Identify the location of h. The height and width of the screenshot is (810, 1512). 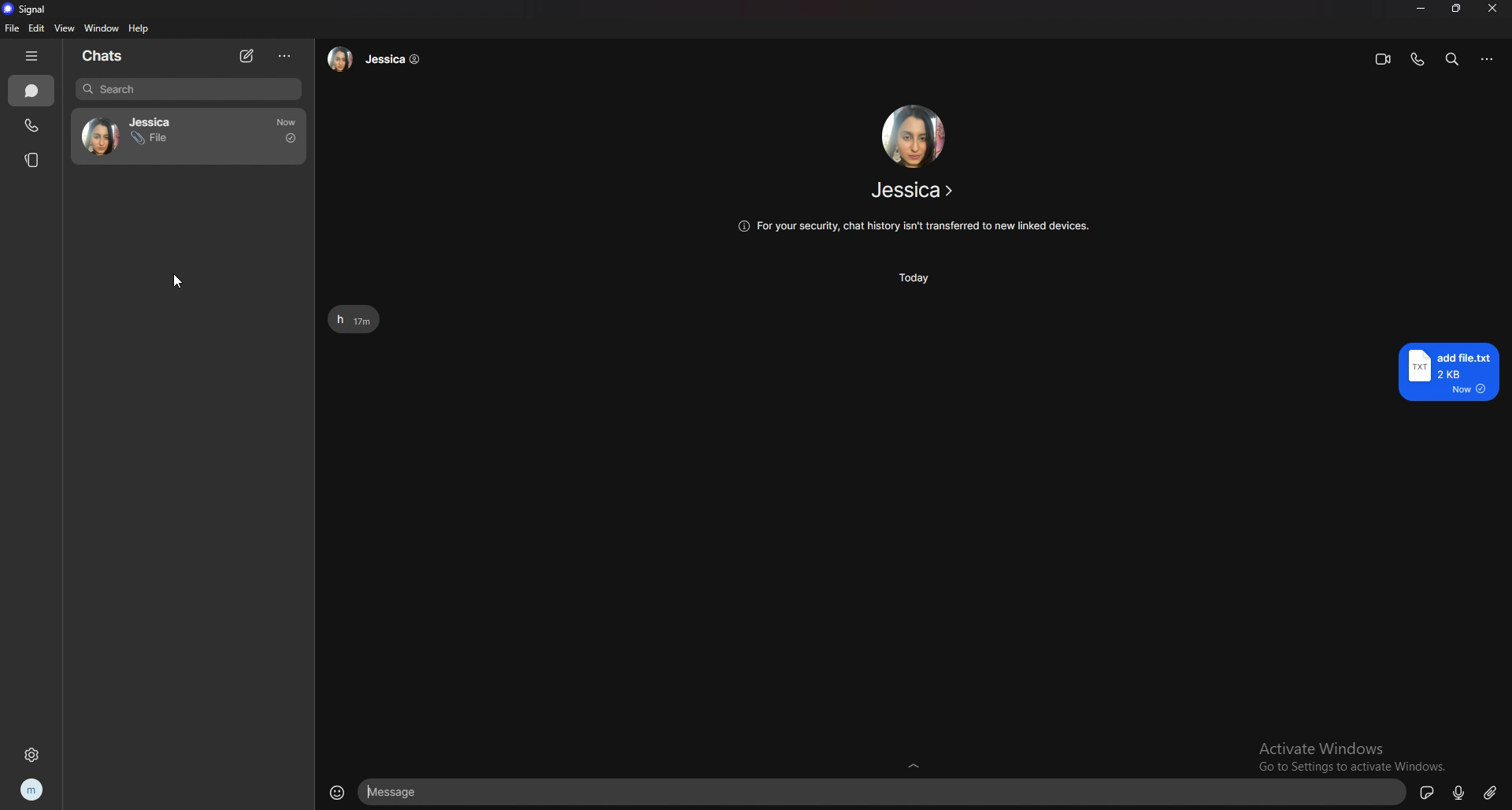
(339, 319).